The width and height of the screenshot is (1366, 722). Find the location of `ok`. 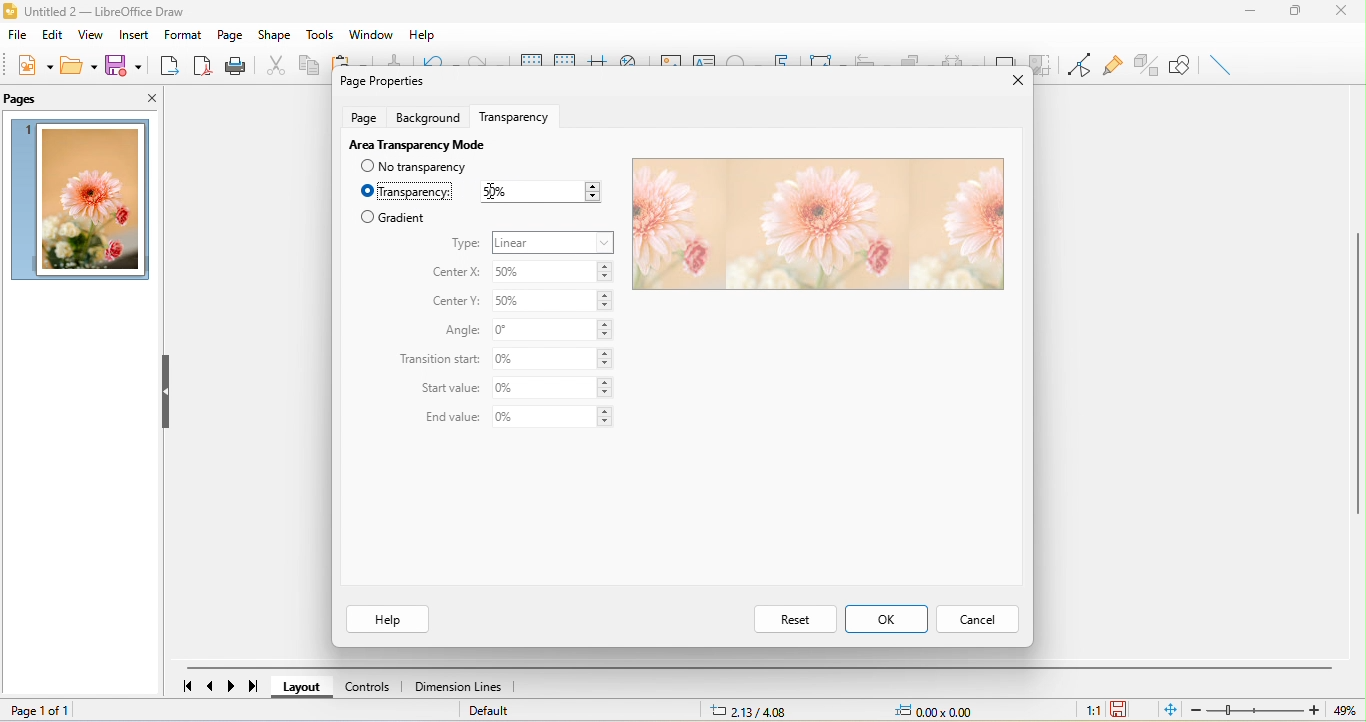

ok is located at coordinates (886, 618).